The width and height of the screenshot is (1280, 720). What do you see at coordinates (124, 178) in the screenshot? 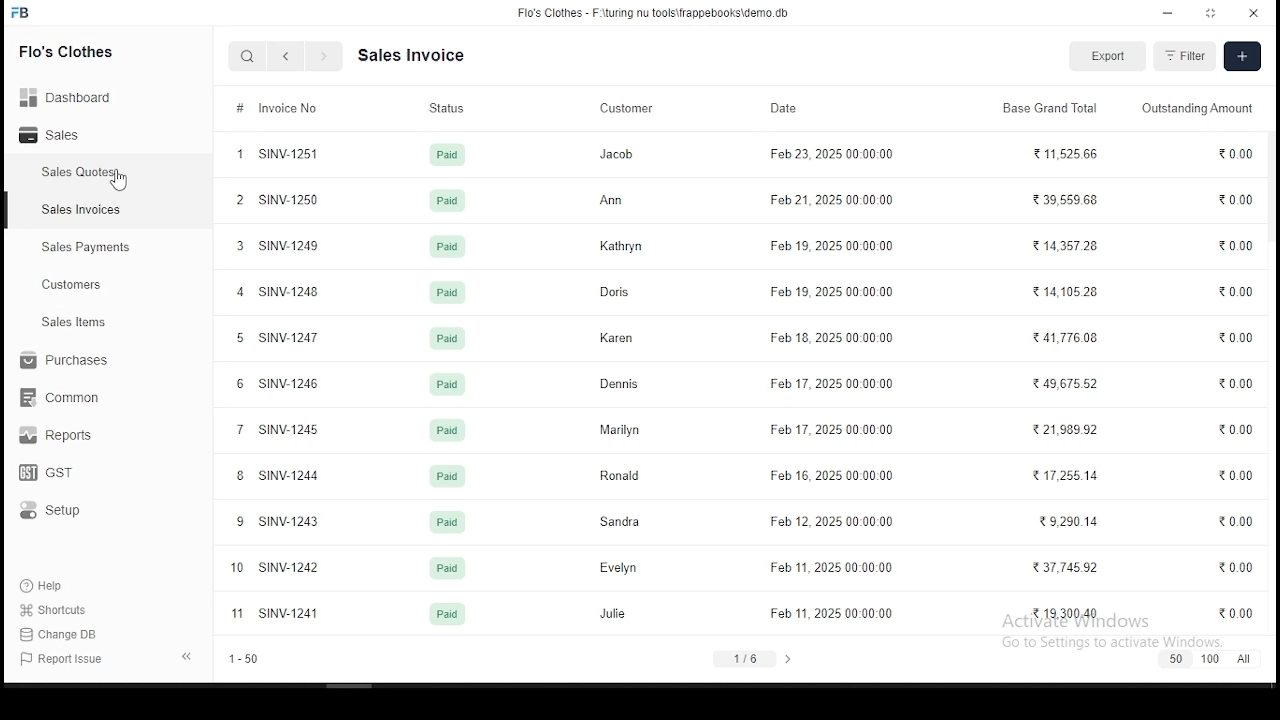
I see `cursor` at bounding box center [124, 178].